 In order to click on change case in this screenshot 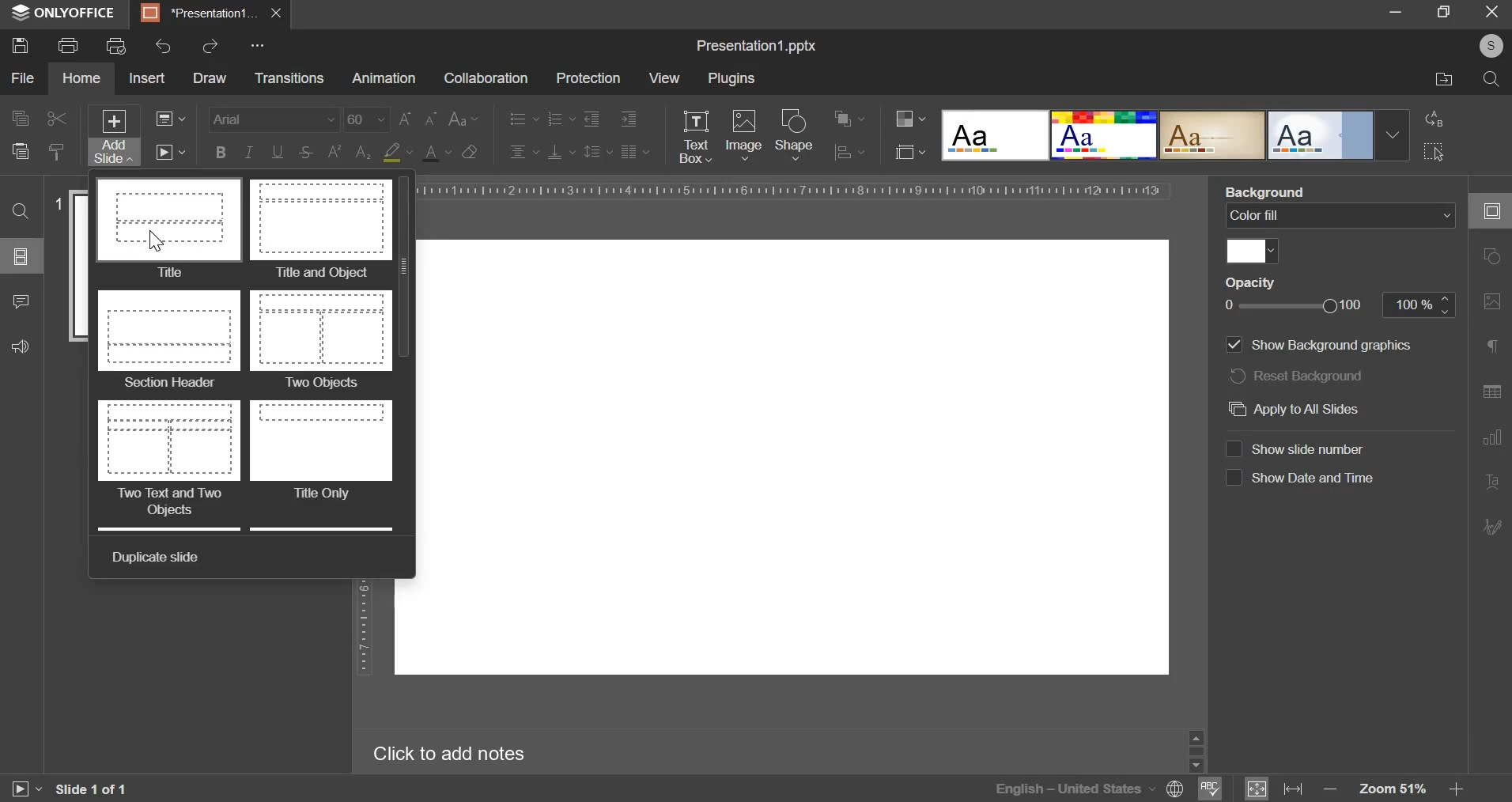, I will do `click(464, 117)`.